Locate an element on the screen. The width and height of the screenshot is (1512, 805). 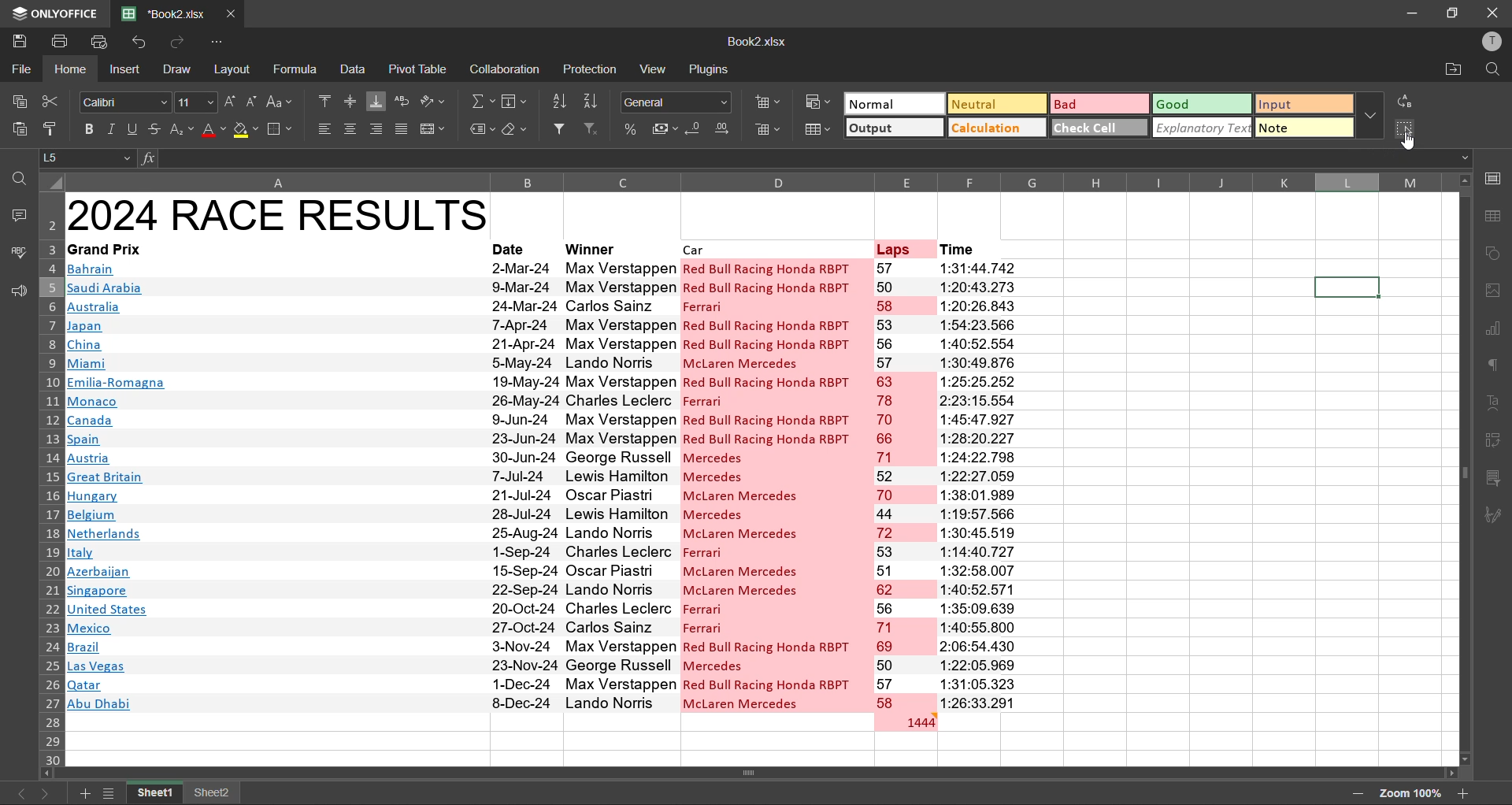
neutral is located at coordinates (999, 105).